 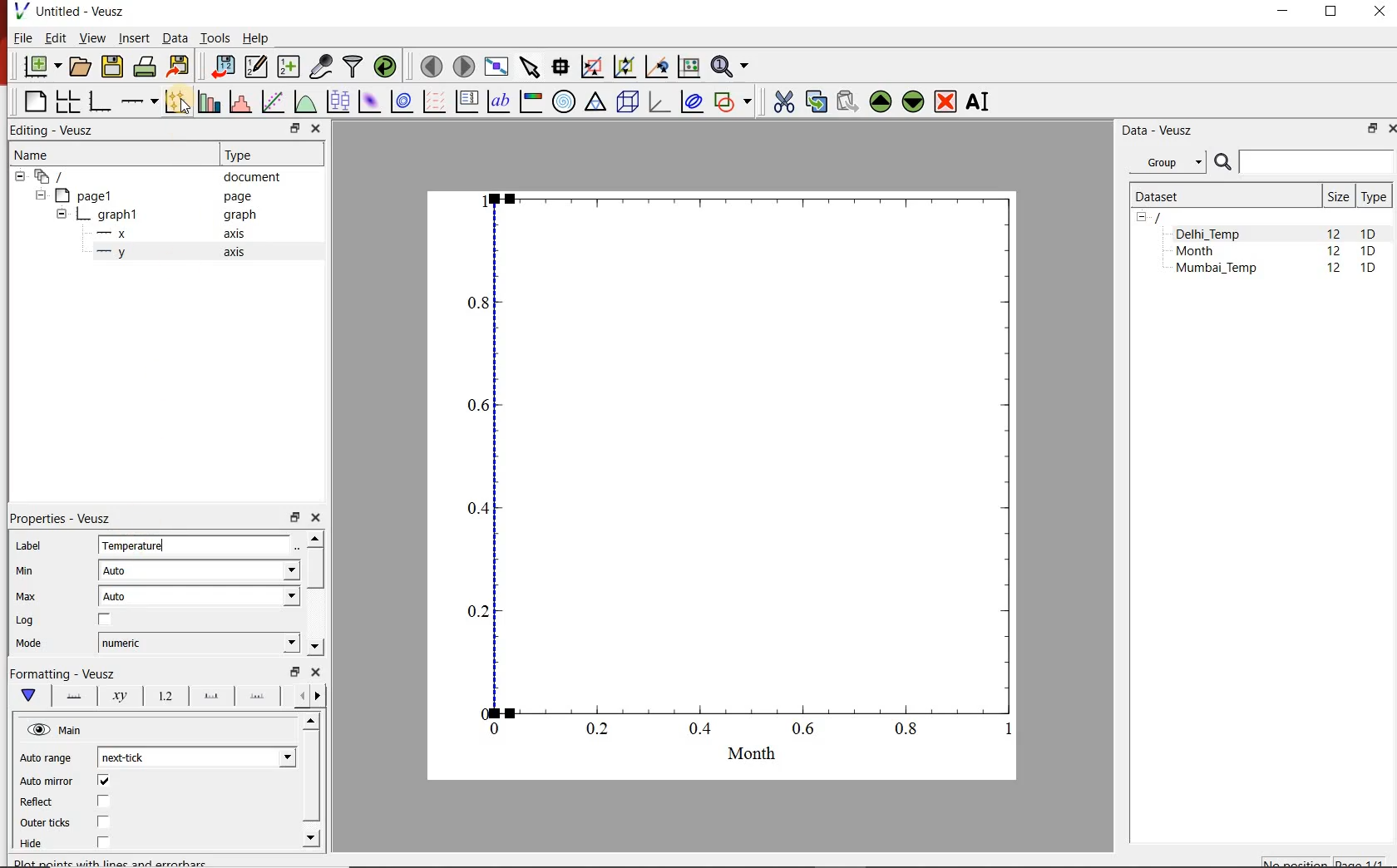 What do you see at coordinates (41, 67) in the screenshot?
I see `new document` at bounding box center [41, 67].